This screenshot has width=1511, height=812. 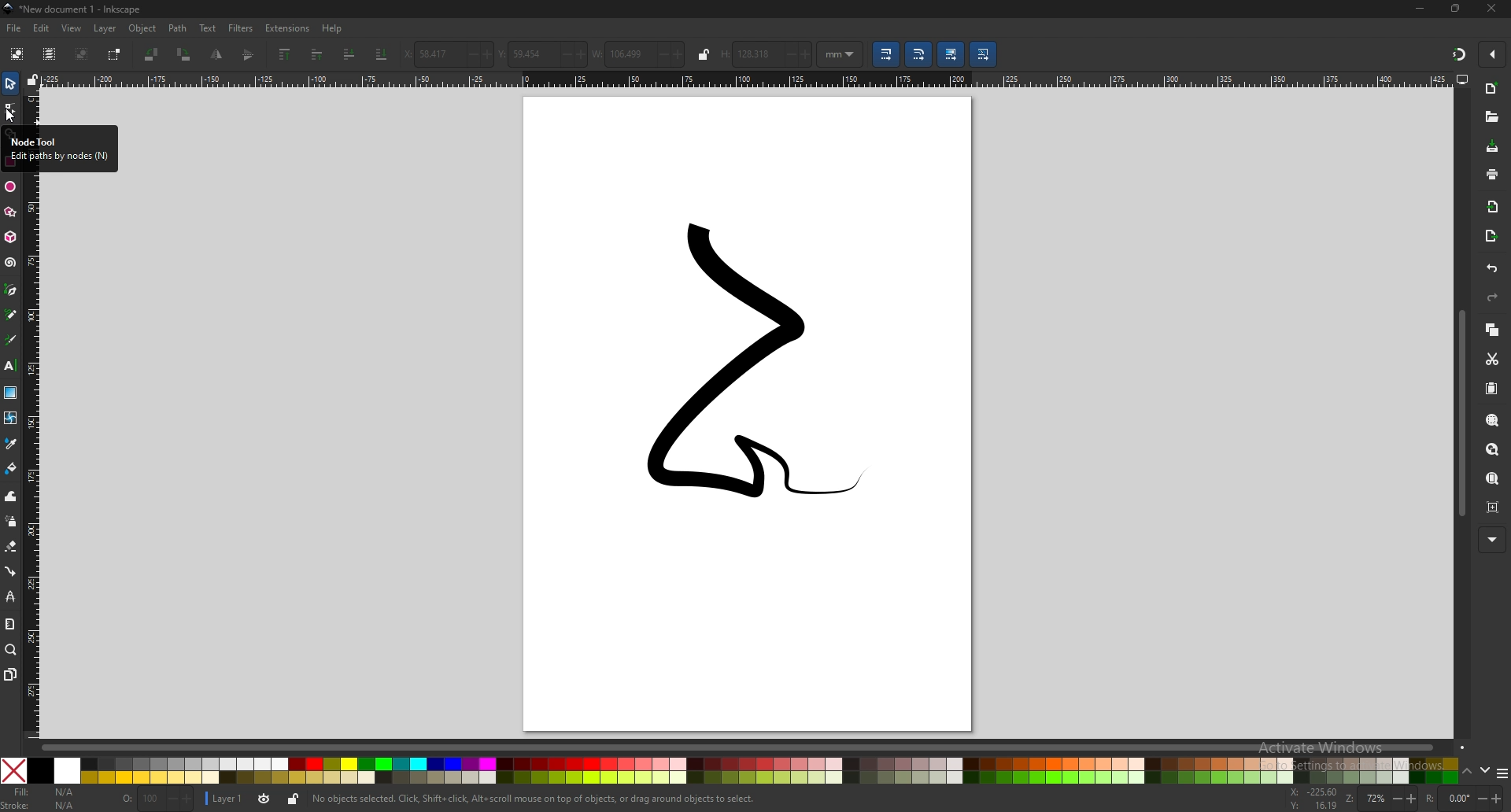 What do you see at coordinates (11, 314) in the screenshot?
I see `pencil` at bounding box center [11, 314].